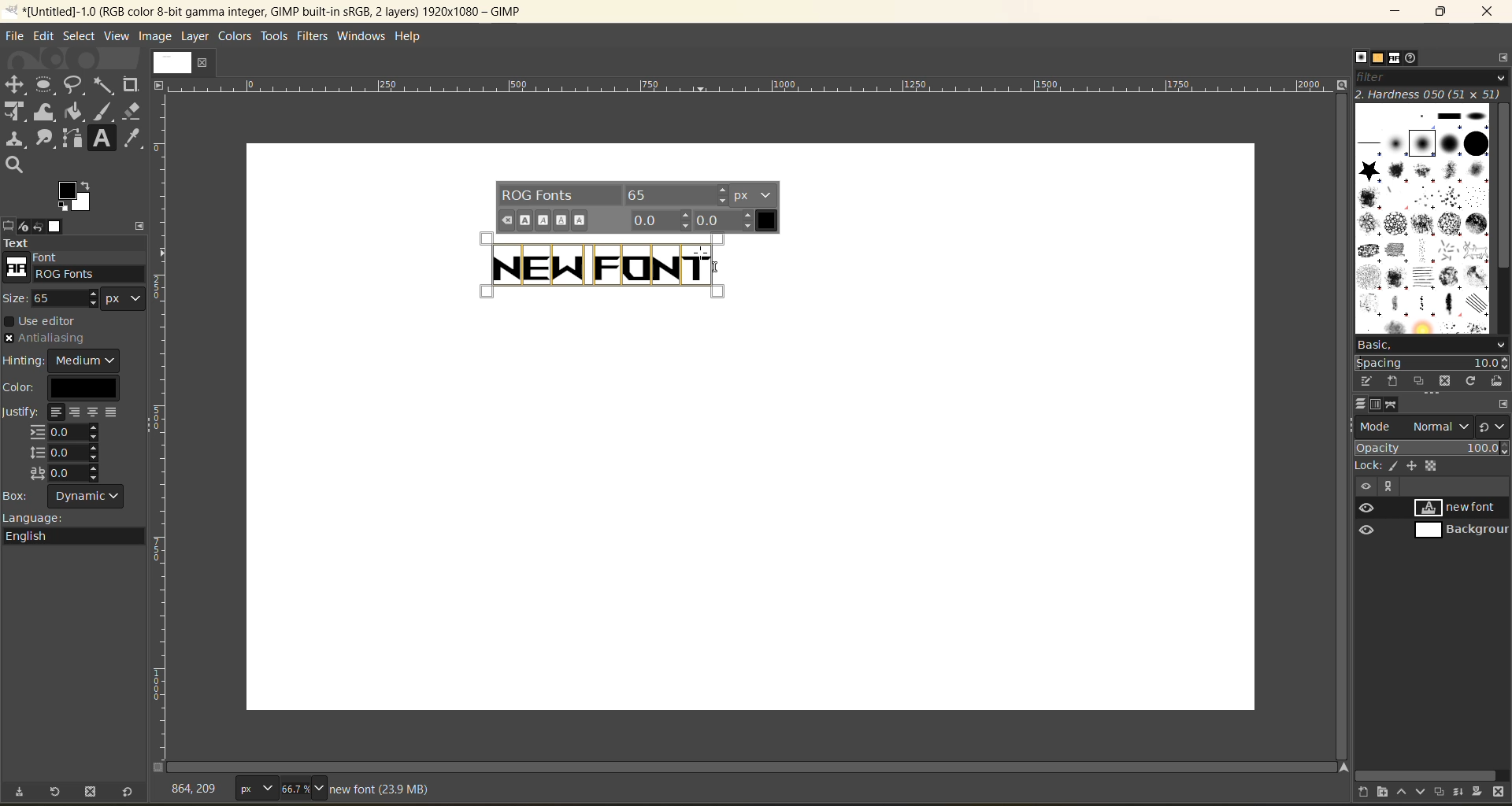 The image size is (1512, 806). What do you see at coordinates (416, 39) in the screenshot?
I see `help` at bounding box center [416, 39].